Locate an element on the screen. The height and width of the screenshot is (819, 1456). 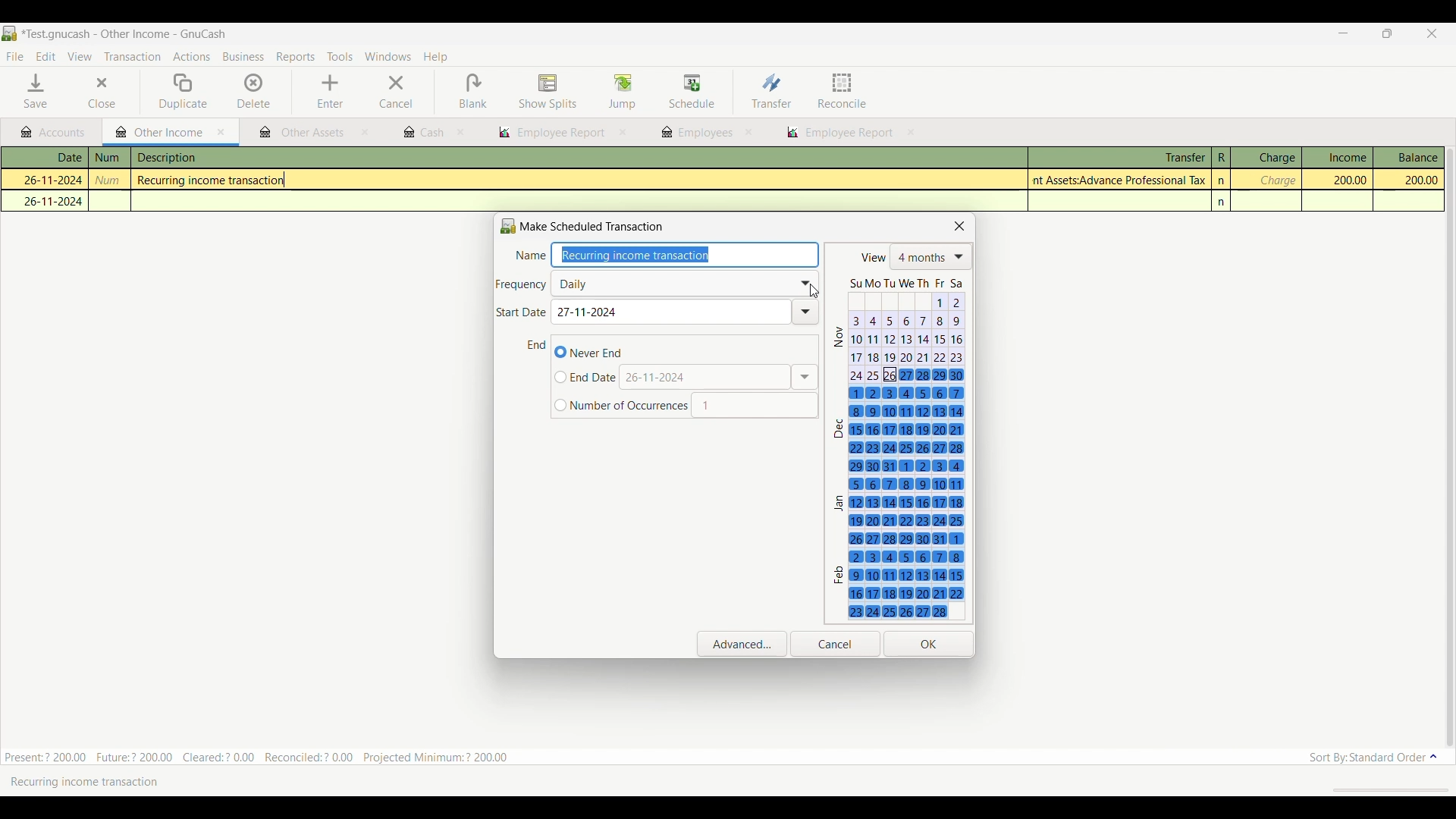
Jump is located at coordinates (622, 91).